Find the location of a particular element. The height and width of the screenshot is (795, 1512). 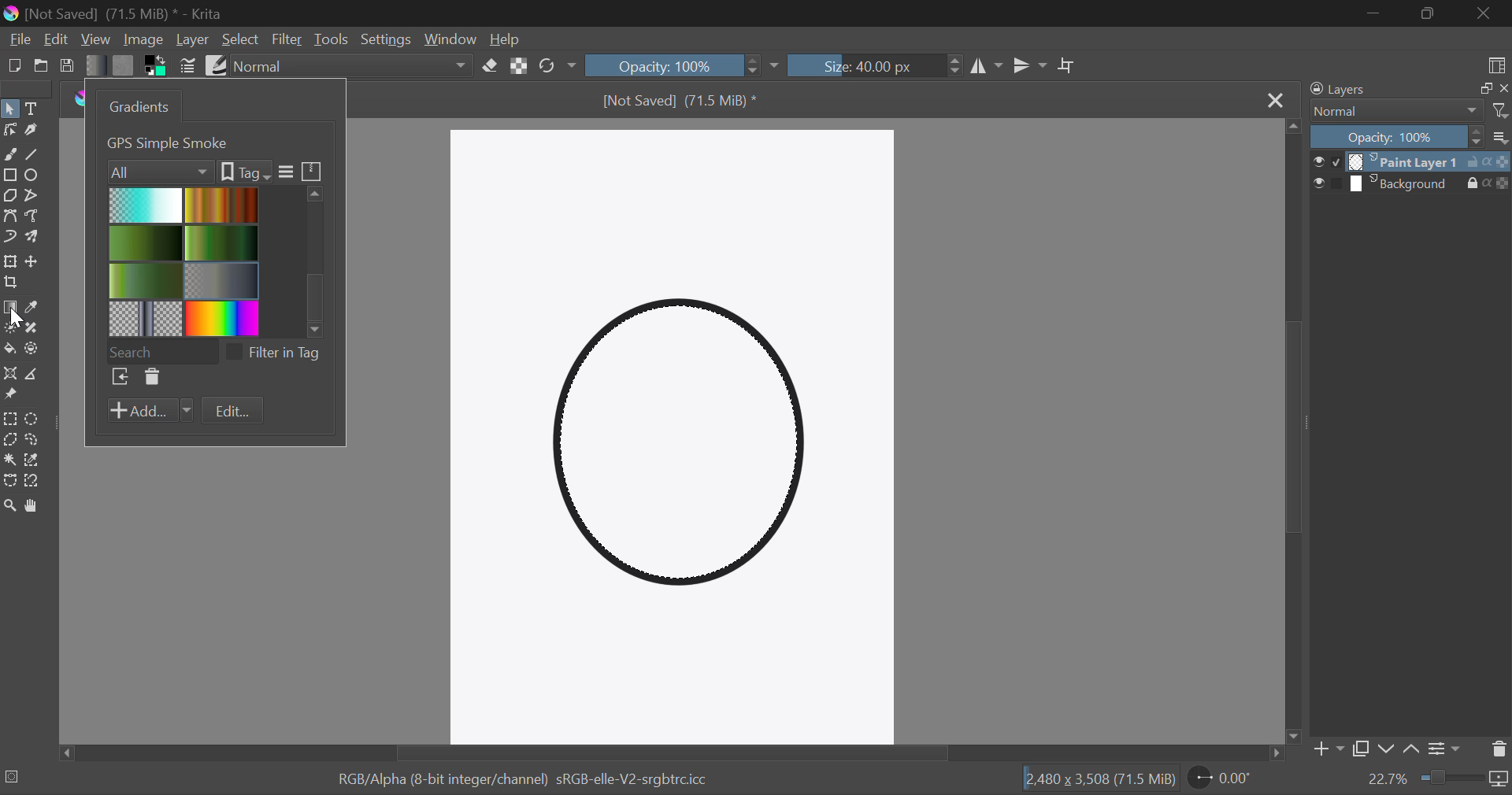

Gradient Fill is located at coordinates (10, 308).